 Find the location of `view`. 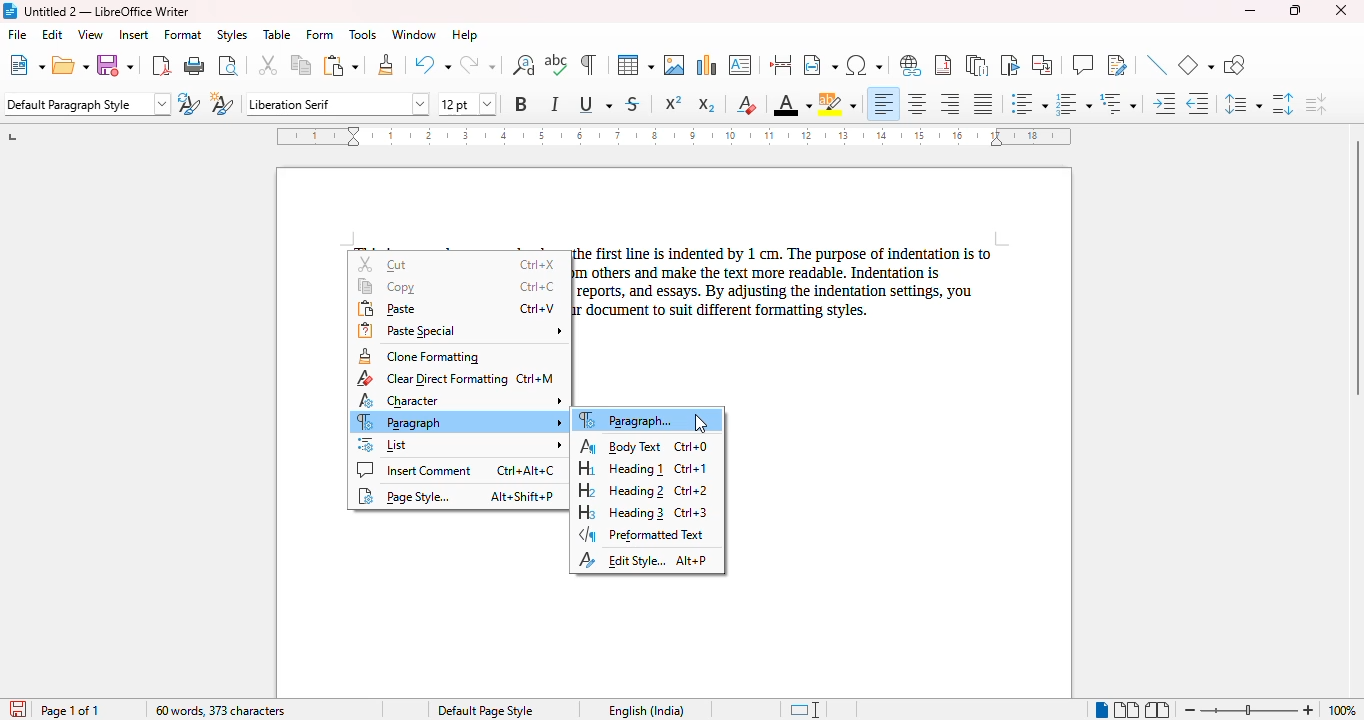

view is located at coordinates (90, 34).